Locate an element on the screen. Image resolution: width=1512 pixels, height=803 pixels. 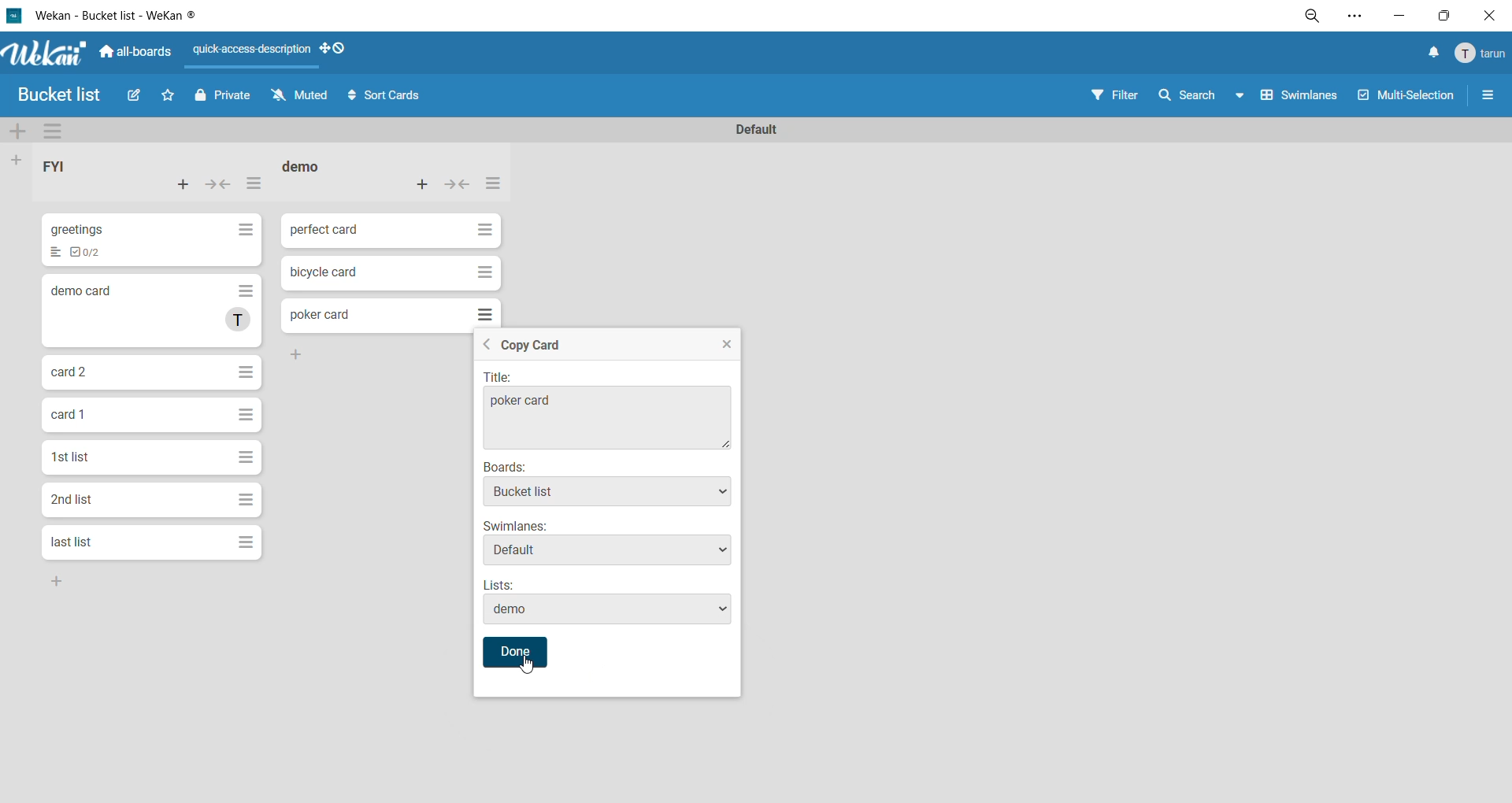
Copy Card is located at coordinates (537, 346).